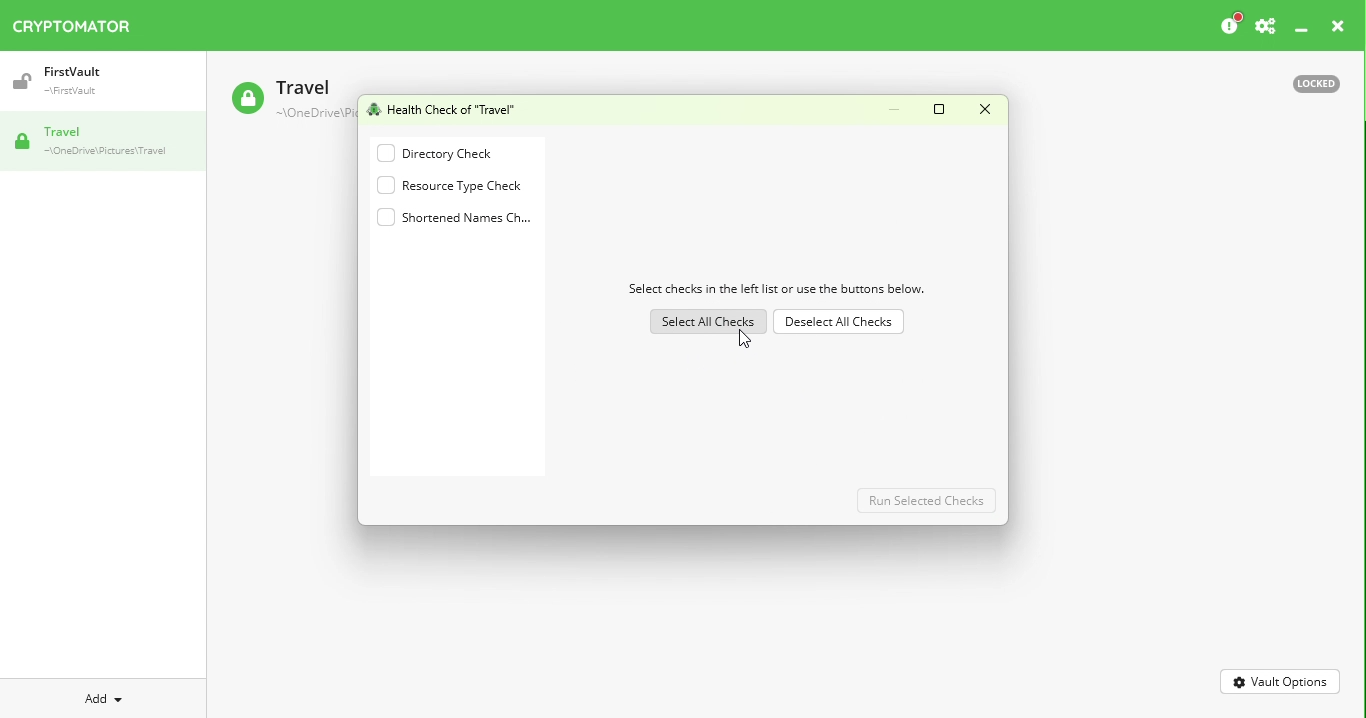 The image size is (1366, 718). Describe the element at coordinates (898, 107) in the screenshot. I see `Minimize` at that location.